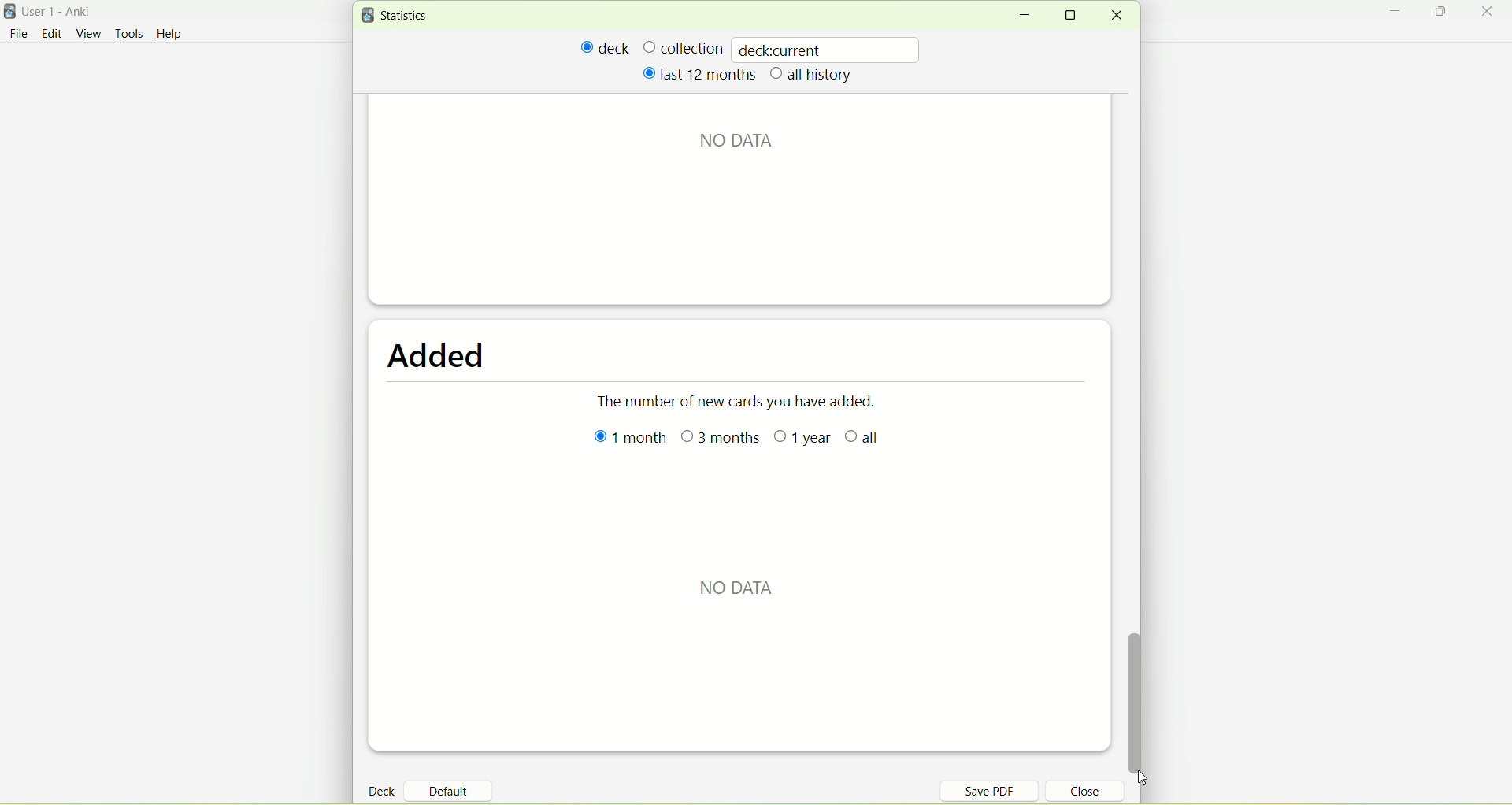  What do you see at coordinates (91, 35) in the screenshot?
I see `view` at bounding box center [91, 35].